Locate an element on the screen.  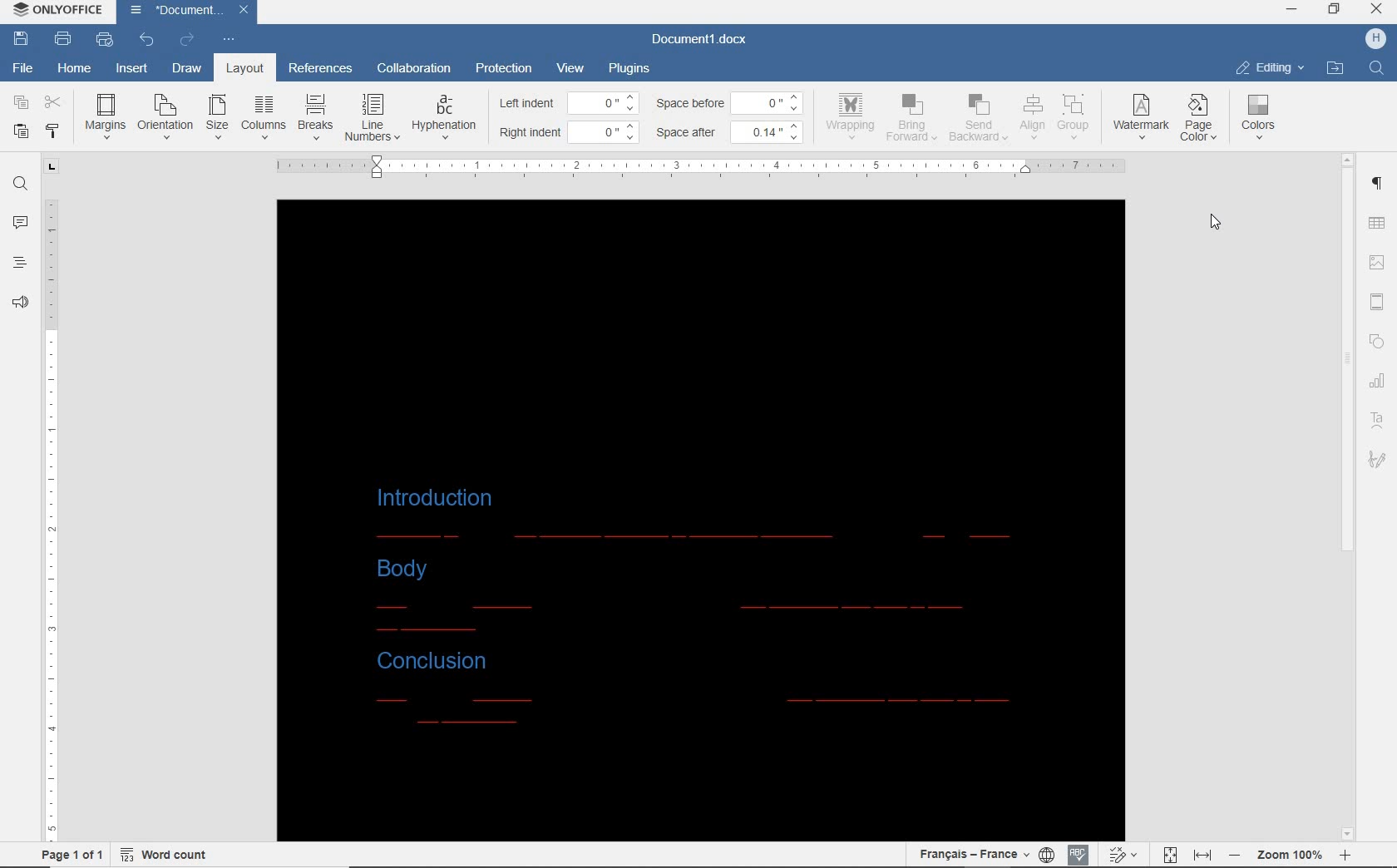
copy style is located at coordinates (53, 131).